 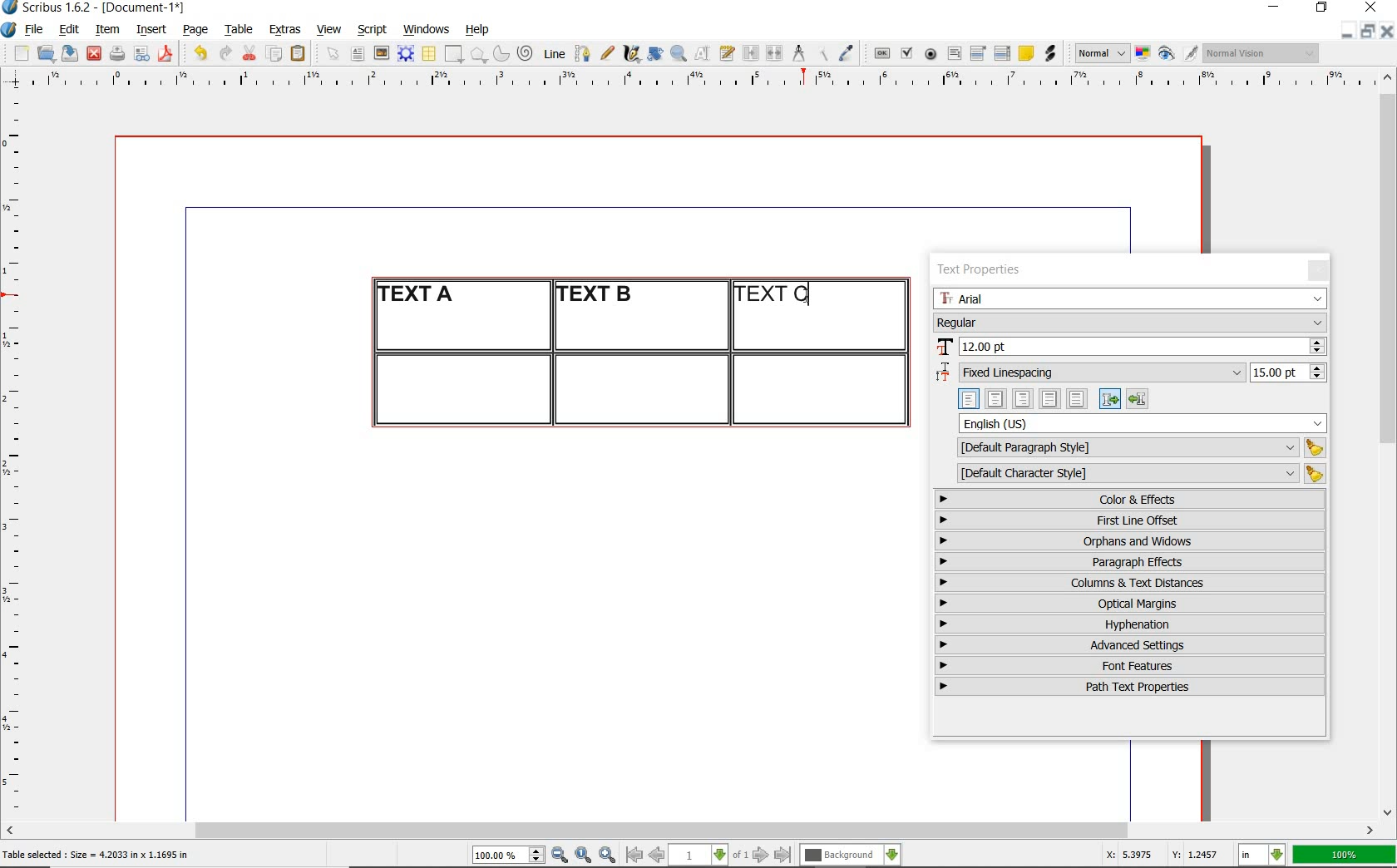 I want to click on font features, so click(x=1130, y=665).